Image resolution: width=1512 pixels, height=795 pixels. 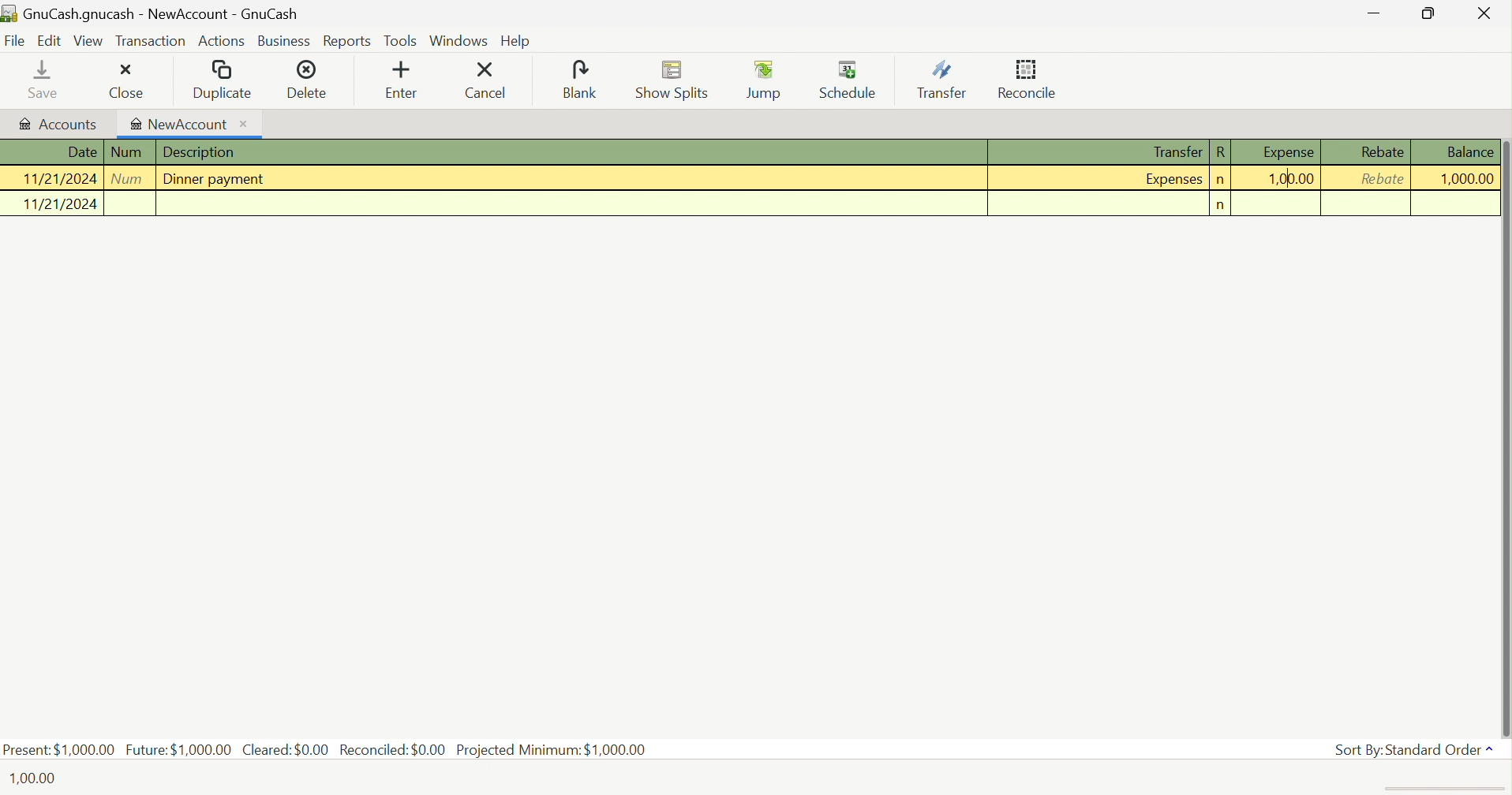 I want to click on Delete, so click(x=314, y=78).